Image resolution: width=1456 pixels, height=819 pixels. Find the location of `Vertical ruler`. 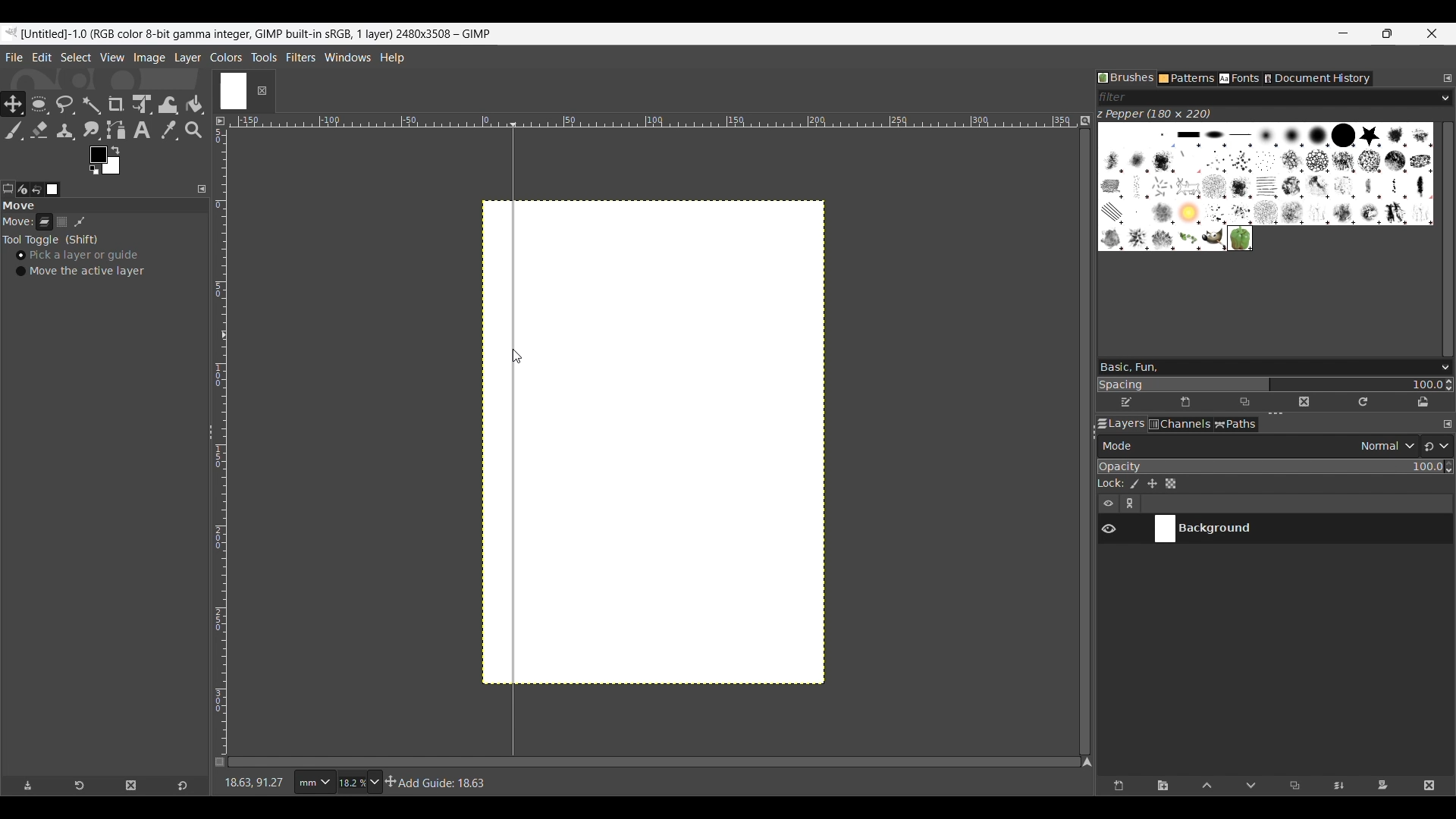

Vertical ruler is located at coordinates (224, 438).